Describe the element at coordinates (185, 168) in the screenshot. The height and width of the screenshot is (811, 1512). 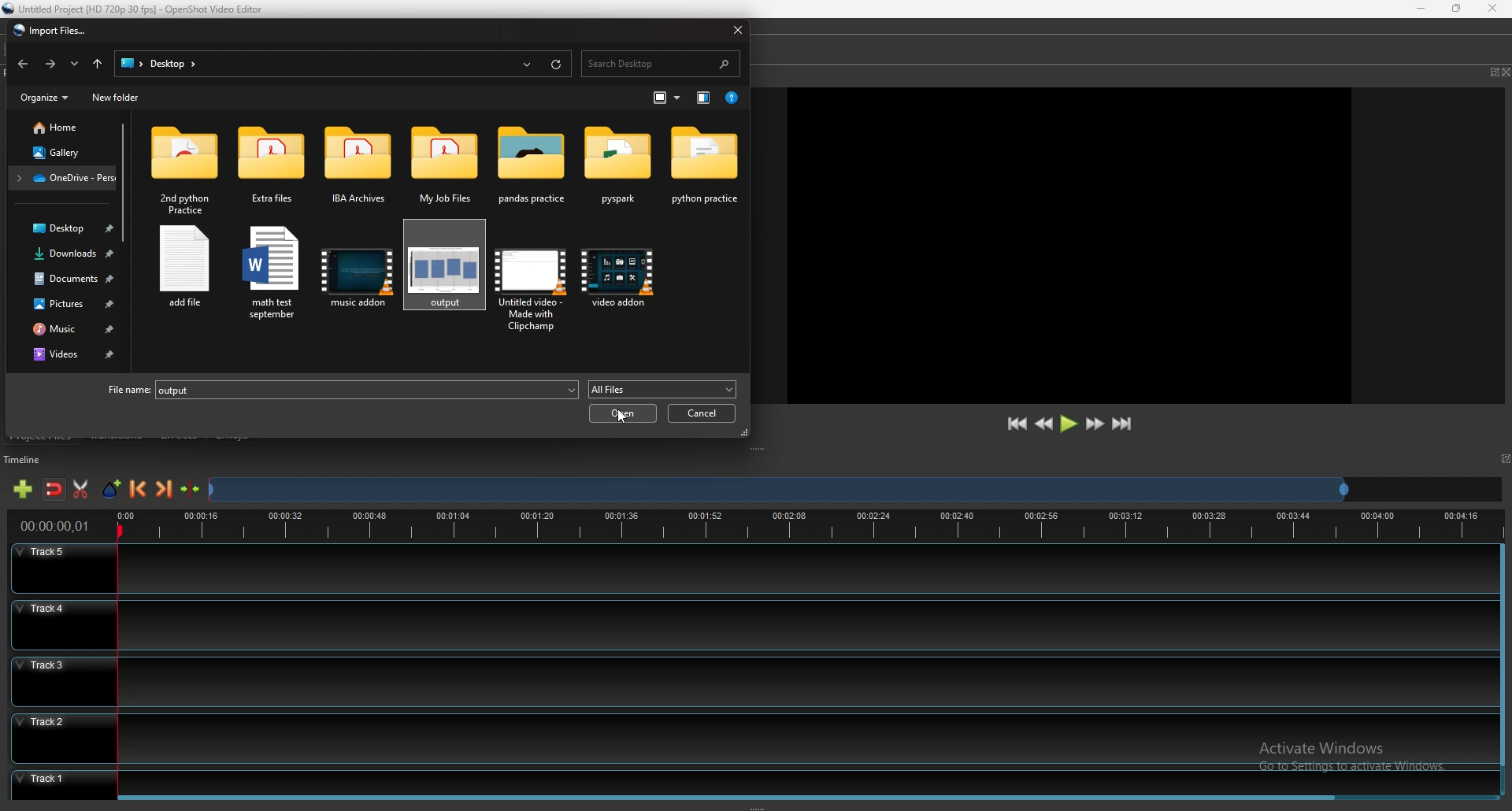
I see `folder` at that location.